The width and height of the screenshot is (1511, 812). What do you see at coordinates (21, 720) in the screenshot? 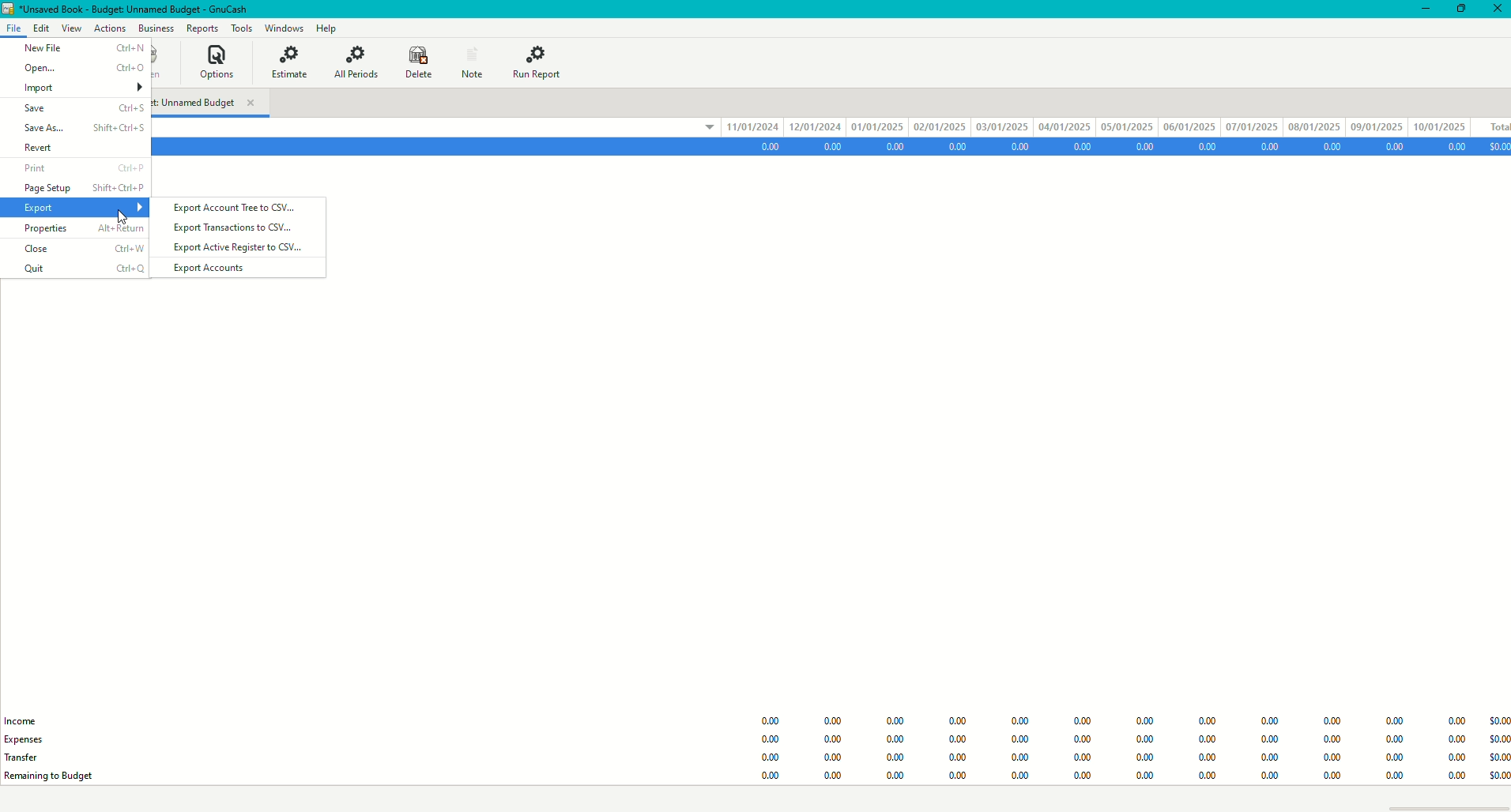
I see `Income` at bounding box center [21, 720].